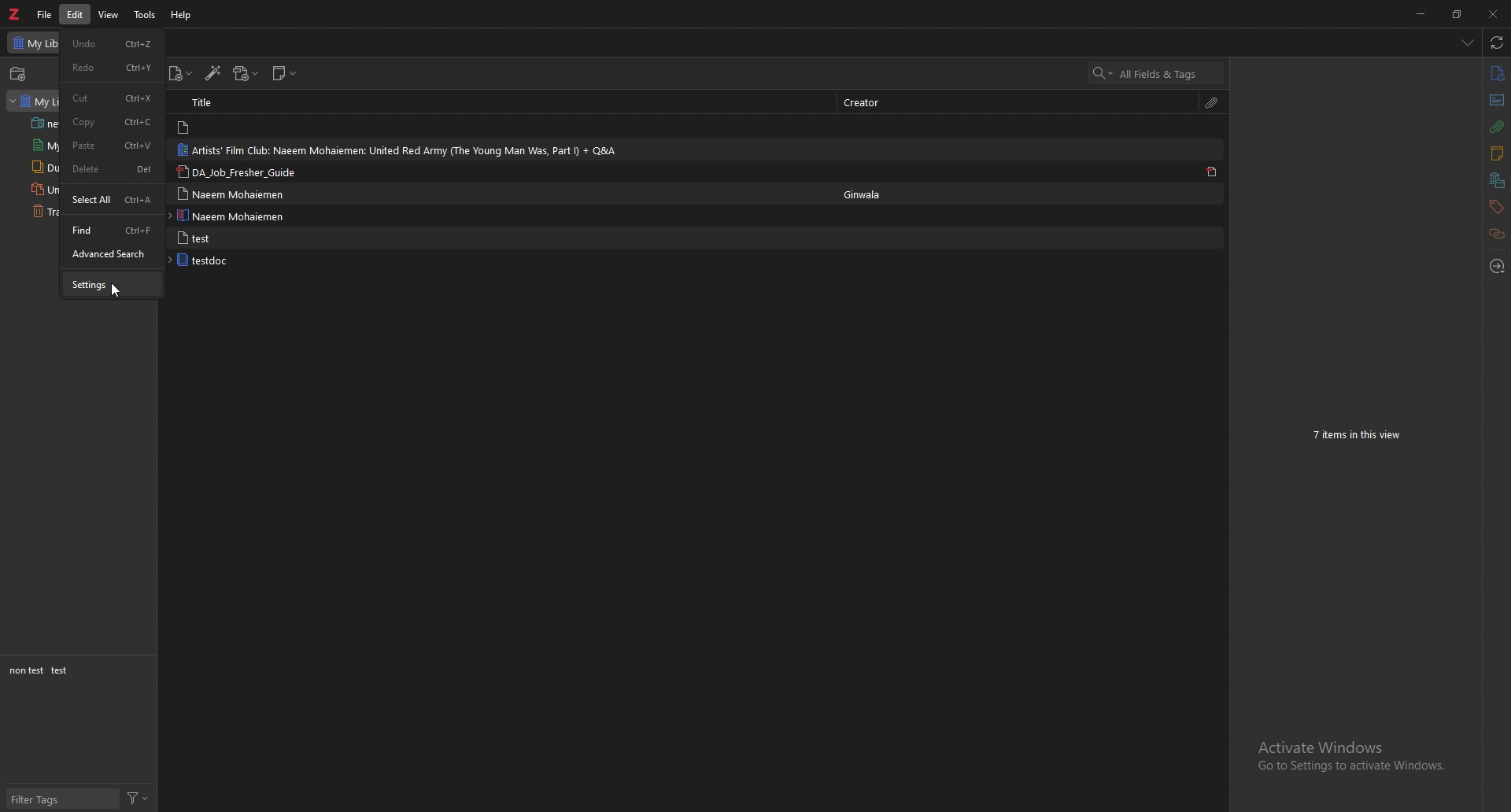 This screenshot has width=1511, height=812. I want to click on delete, so click(113, 169).